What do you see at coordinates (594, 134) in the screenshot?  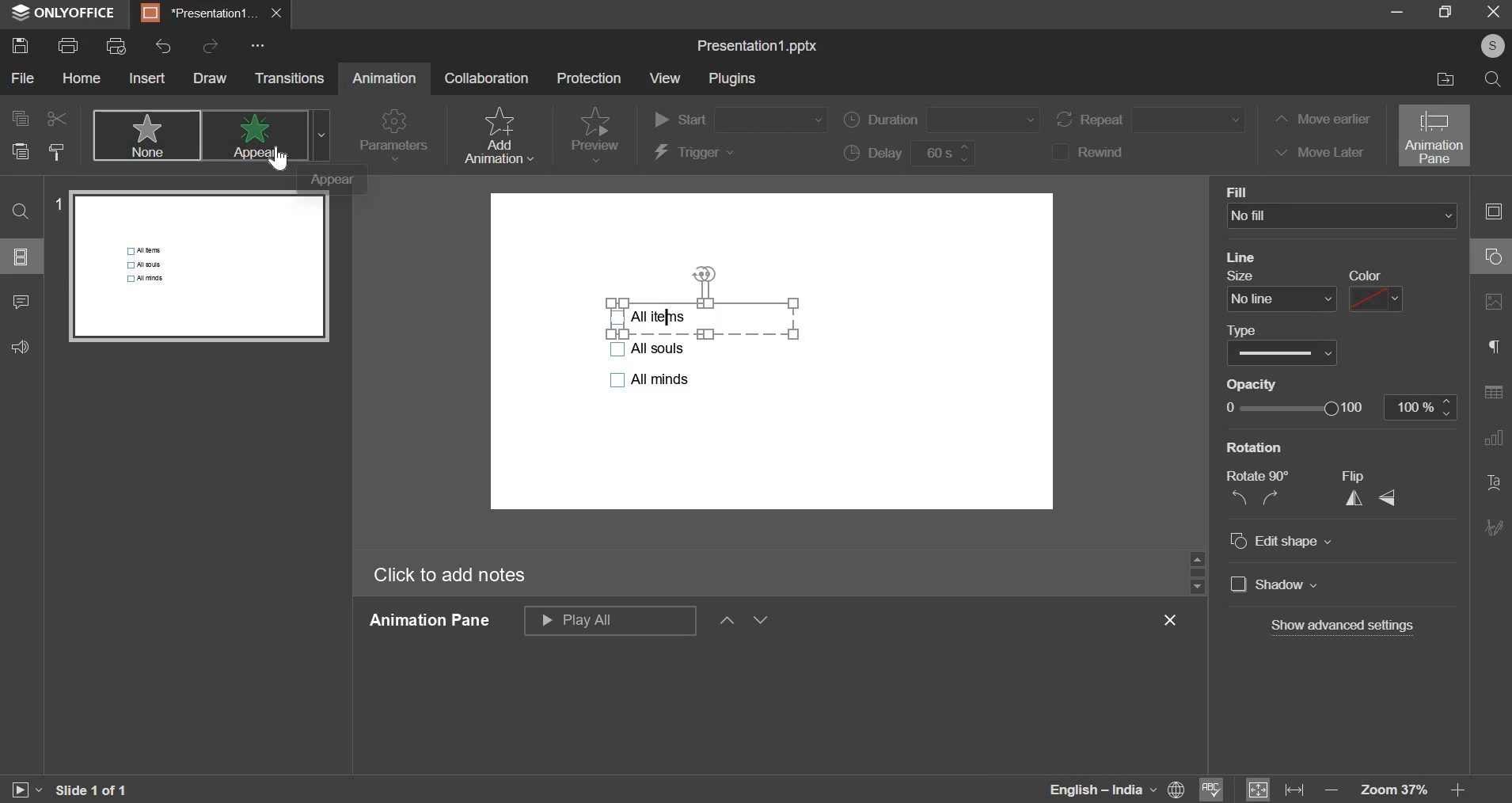 I see `preview` at bounding box center [594, 134].